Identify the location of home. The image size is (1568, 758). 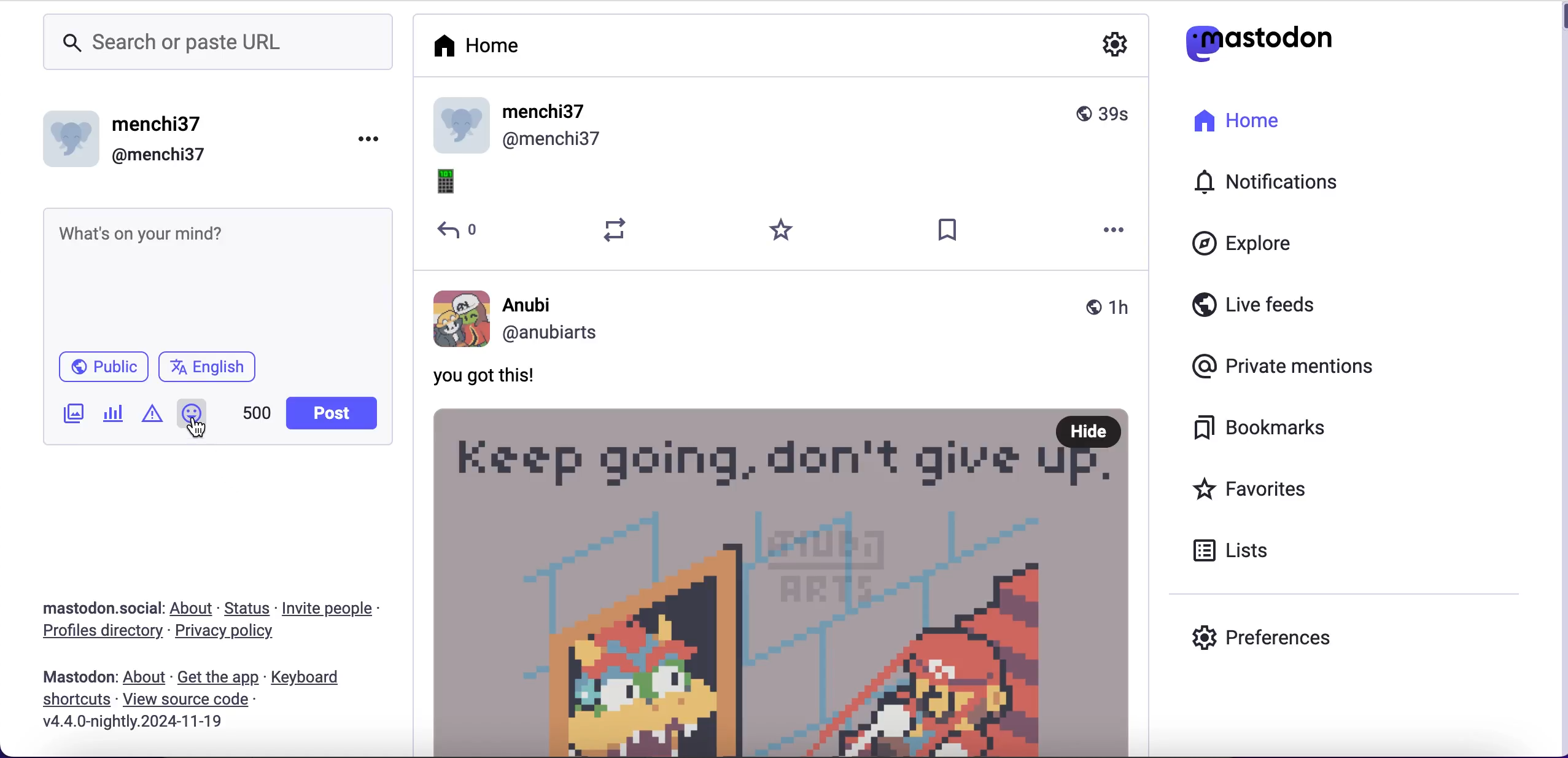
(503, 49).